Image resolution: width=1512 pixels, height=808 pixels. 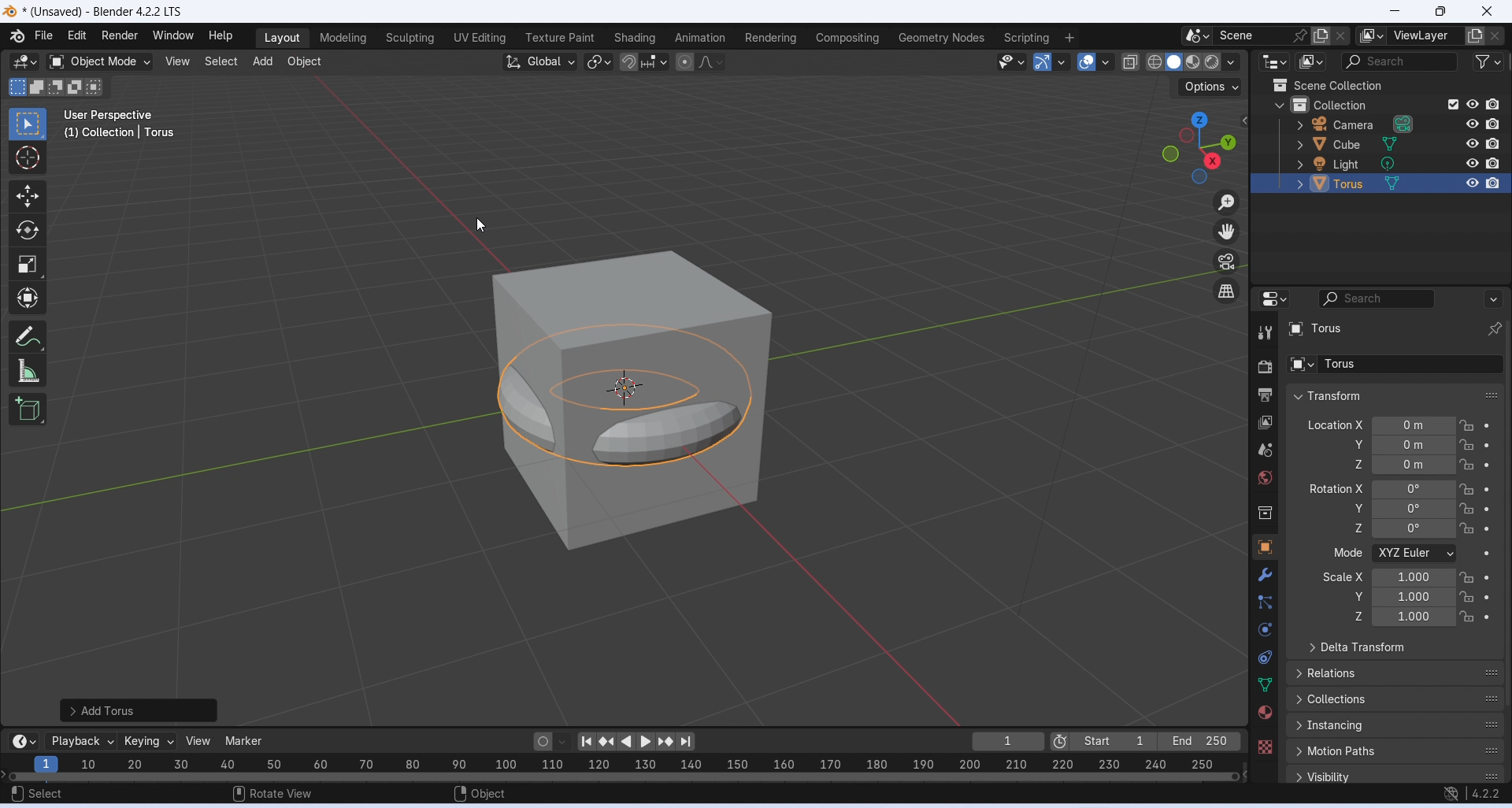 I want to click on Y axis, so click(x=1434, y=509).